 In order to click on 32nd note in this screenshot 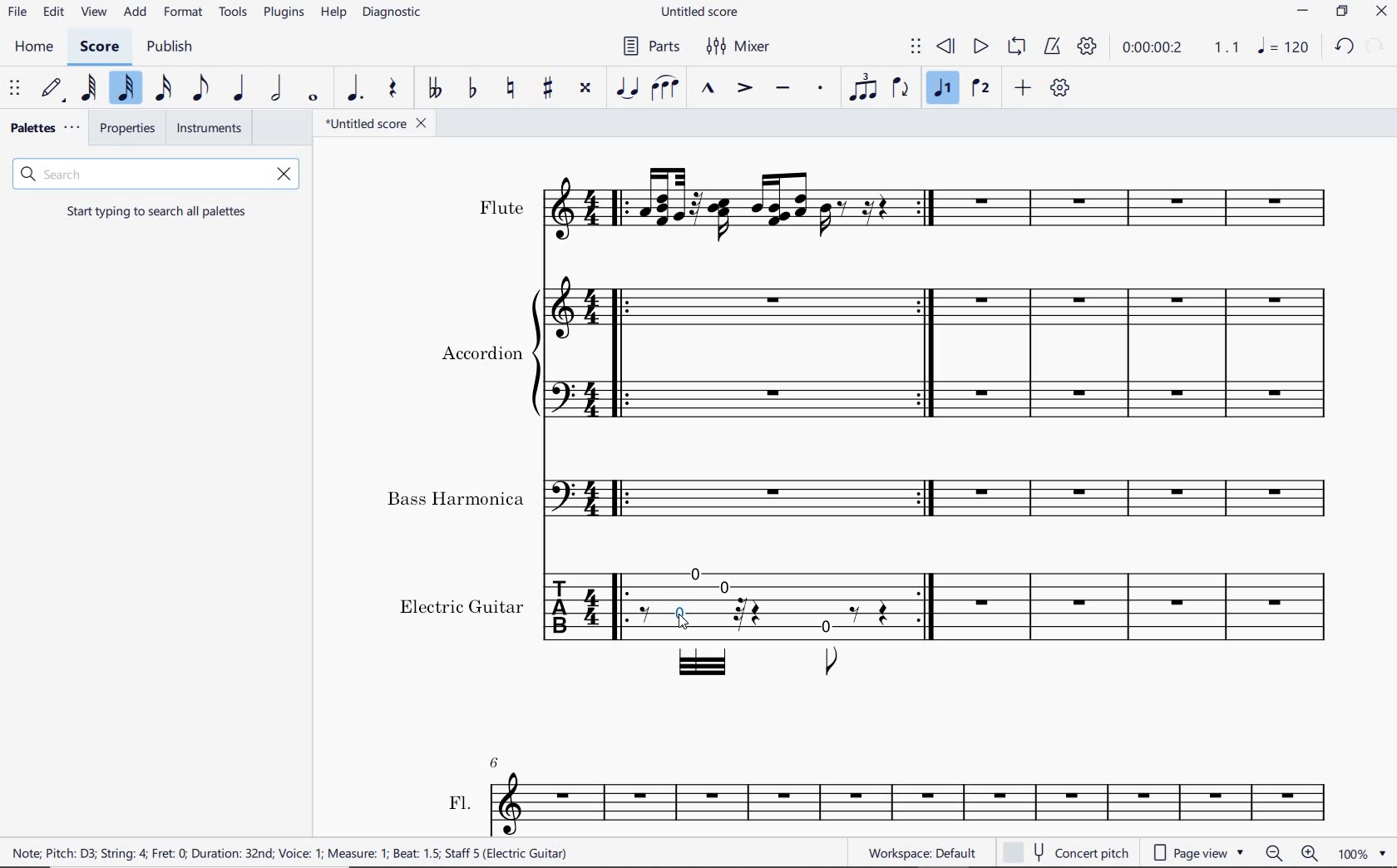, I will do `click(124, 87)`.